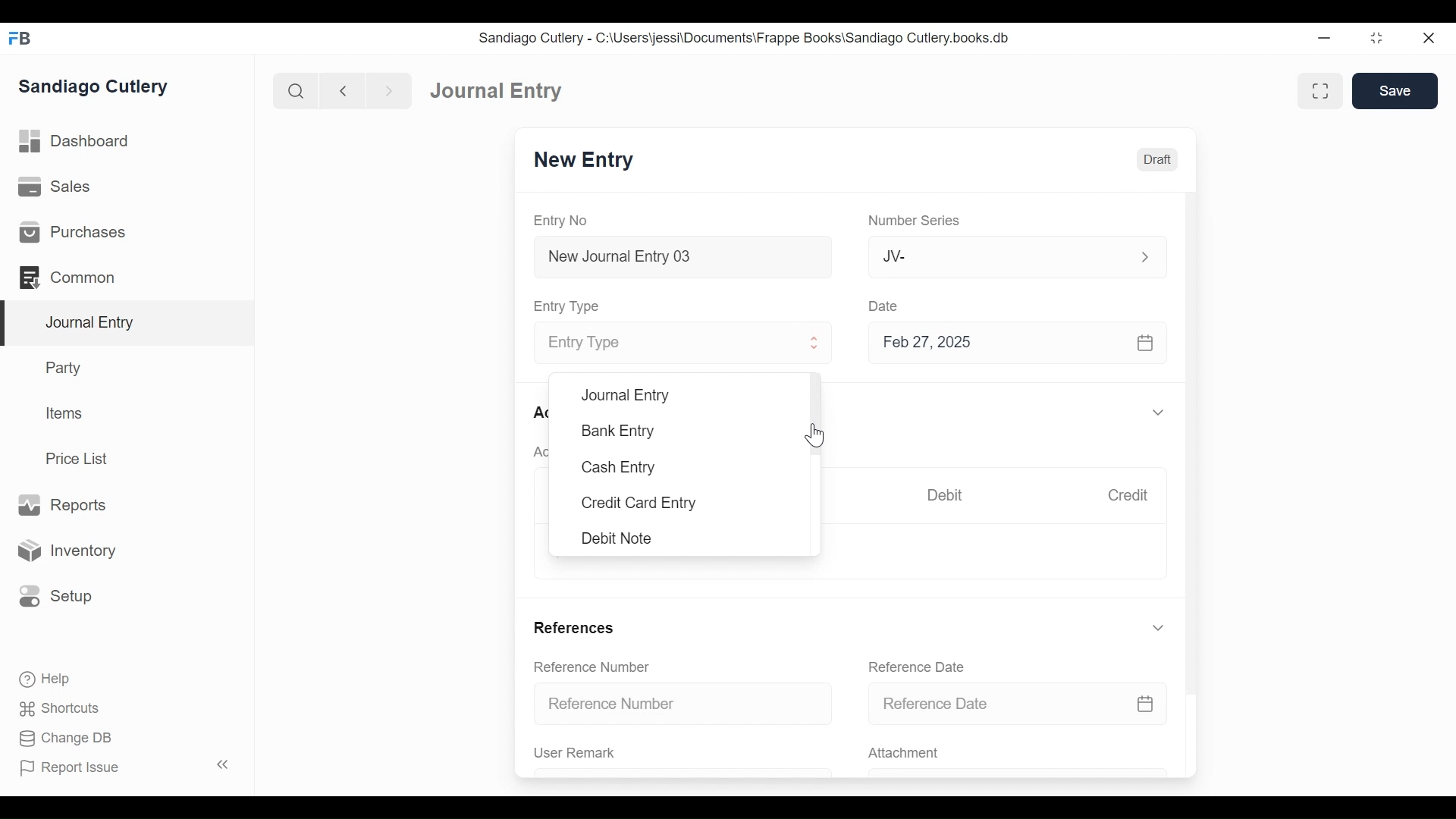 The image size is (1456, 819). What do you see at coordinates (640, 502) in the screenshot?
I see `Credit Card Entry` at bounding box center [640, 502].